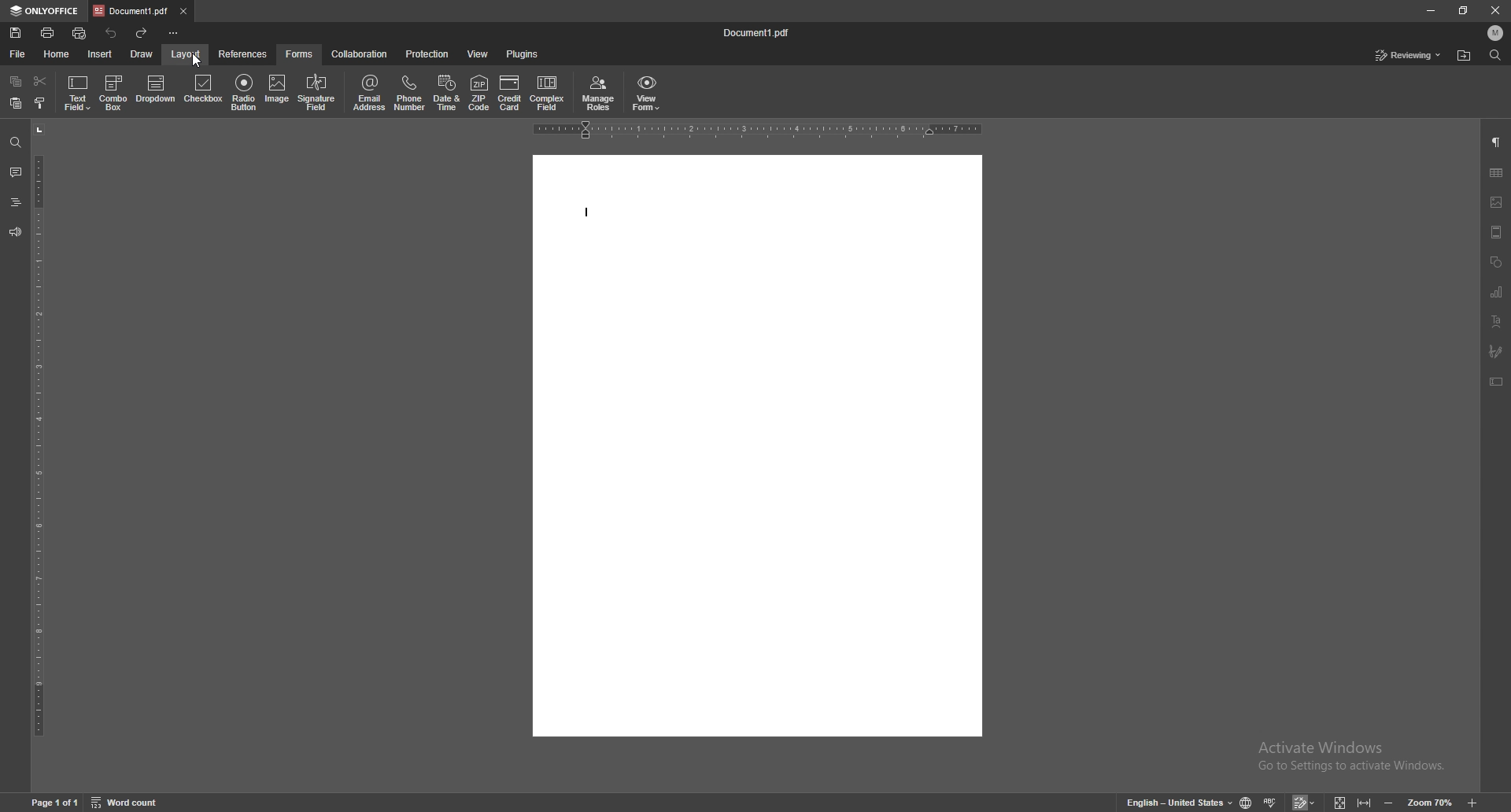  Describe the element at coordinates (1180, 803) in the screenshot. I see `change text language` at that location.